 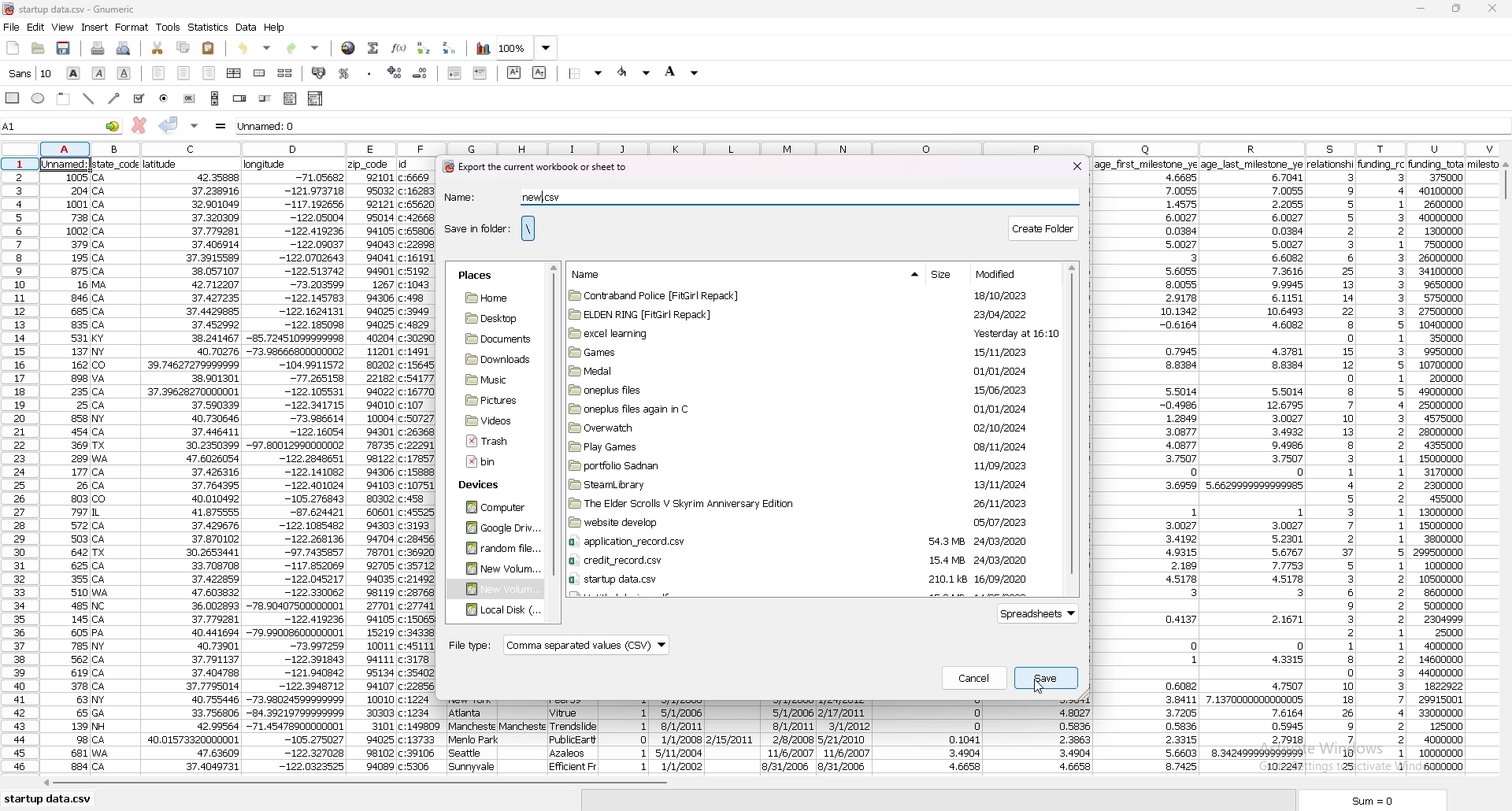 I want to click on italic, so click(x=99, y=72).